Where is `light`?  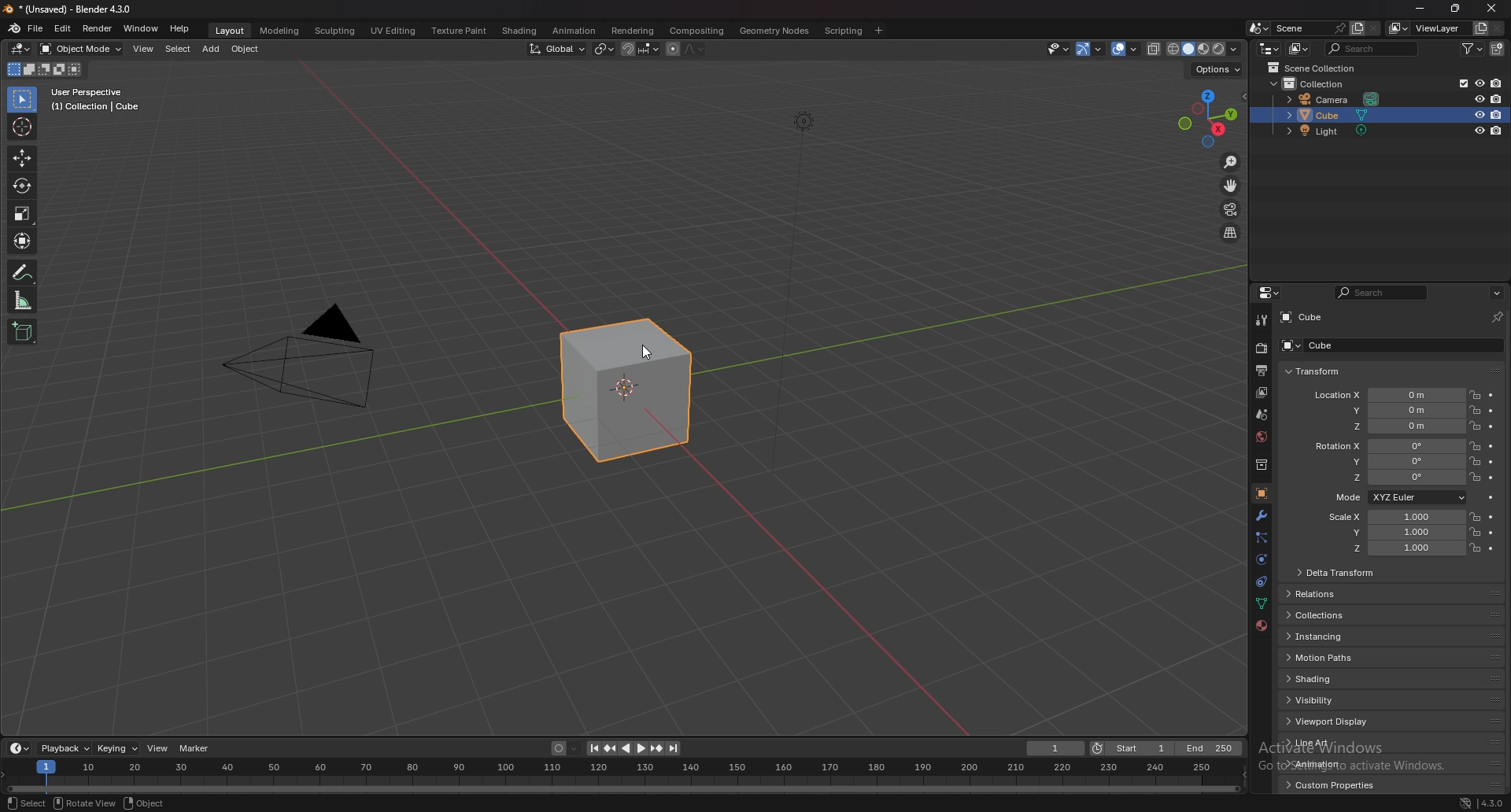 light is located at coordinates (1332, 131).